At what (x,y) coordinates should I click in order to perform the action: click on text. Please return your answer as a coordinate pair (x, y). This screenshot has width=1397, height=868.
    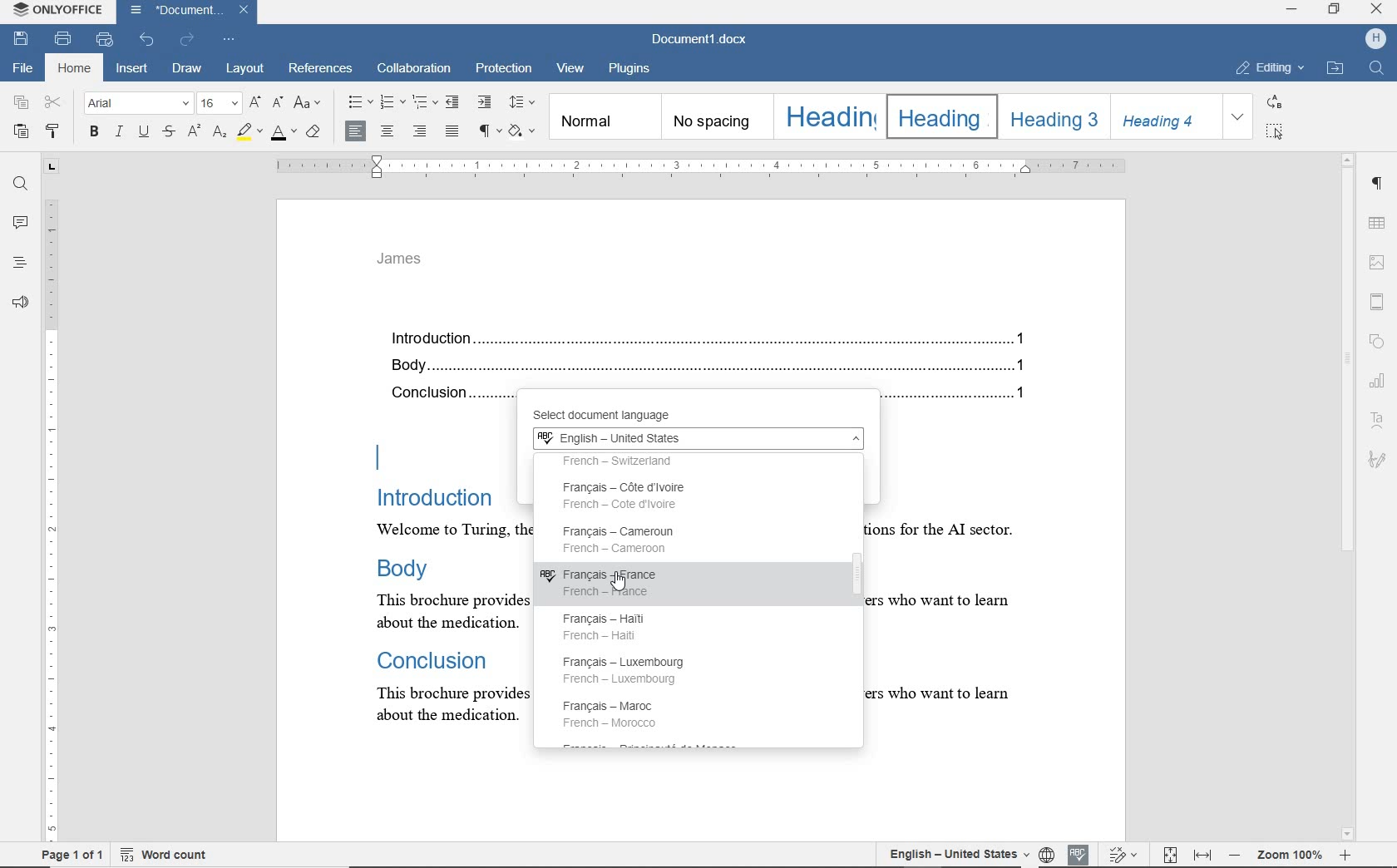
    Looking at the image, I should click on (443, 565).